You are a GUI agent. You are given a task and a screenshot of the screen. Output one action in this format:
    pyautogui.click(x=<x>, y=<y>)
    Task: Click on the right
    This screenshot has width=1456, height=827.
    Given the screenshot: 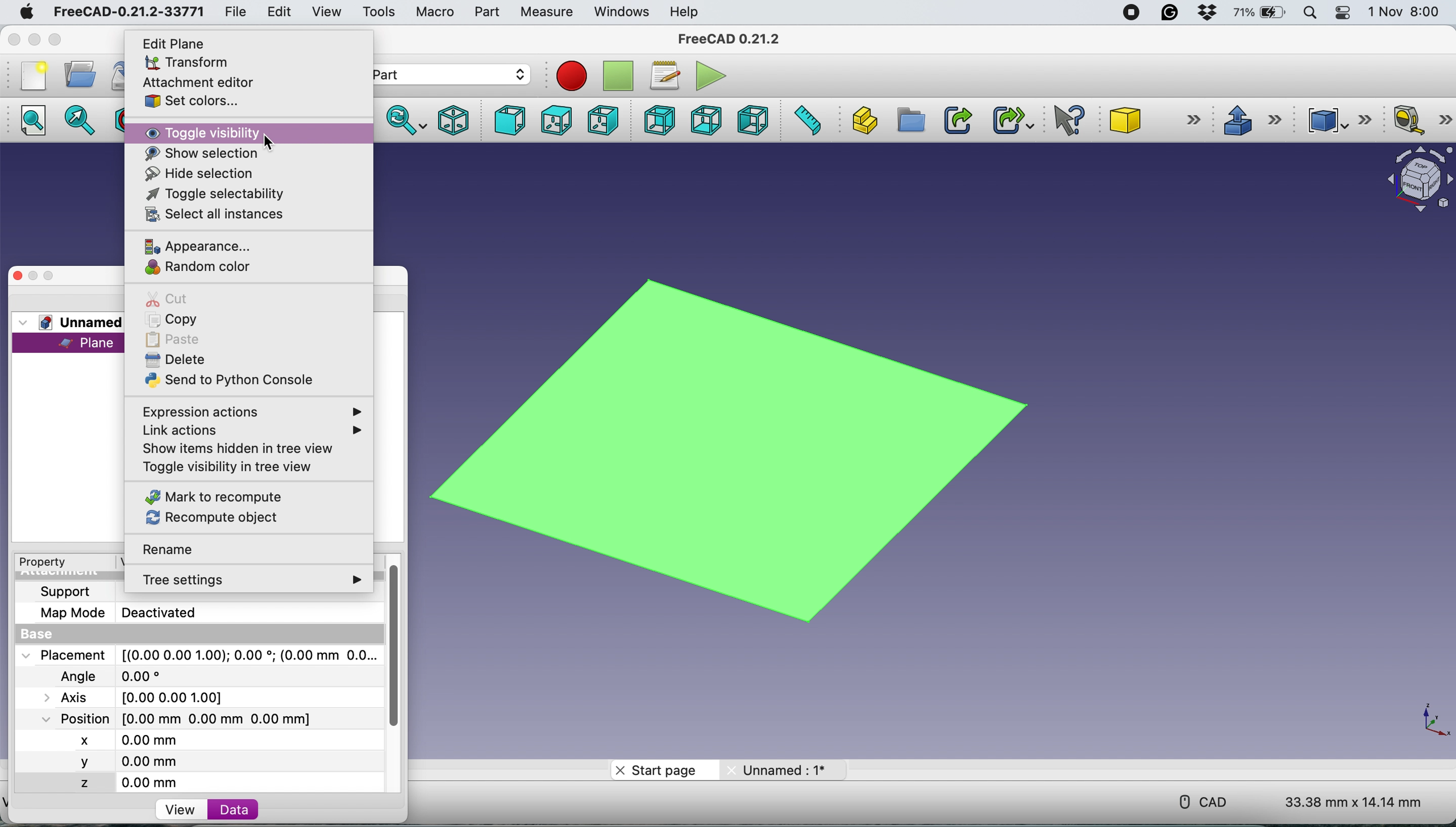 What is the action you would take?
    pyautogui.click(x=603, y=122)
    